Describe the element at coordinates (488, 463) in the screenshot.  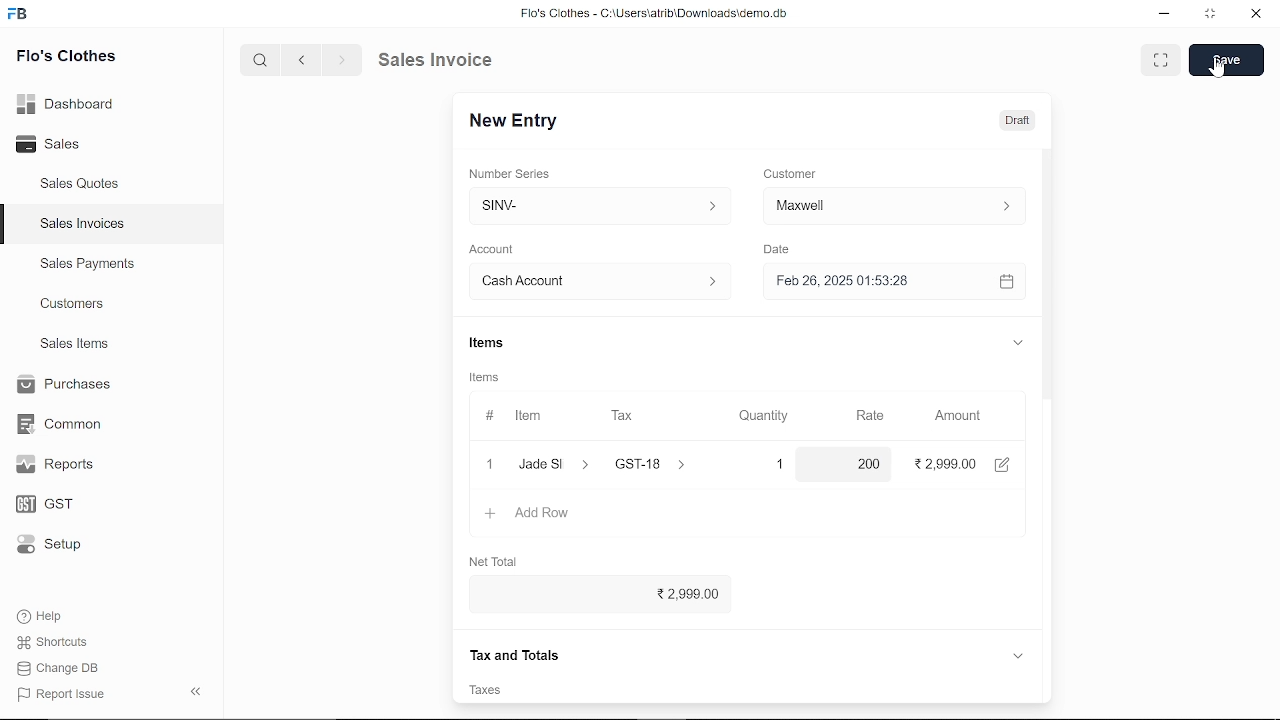
I see `close` at that location.